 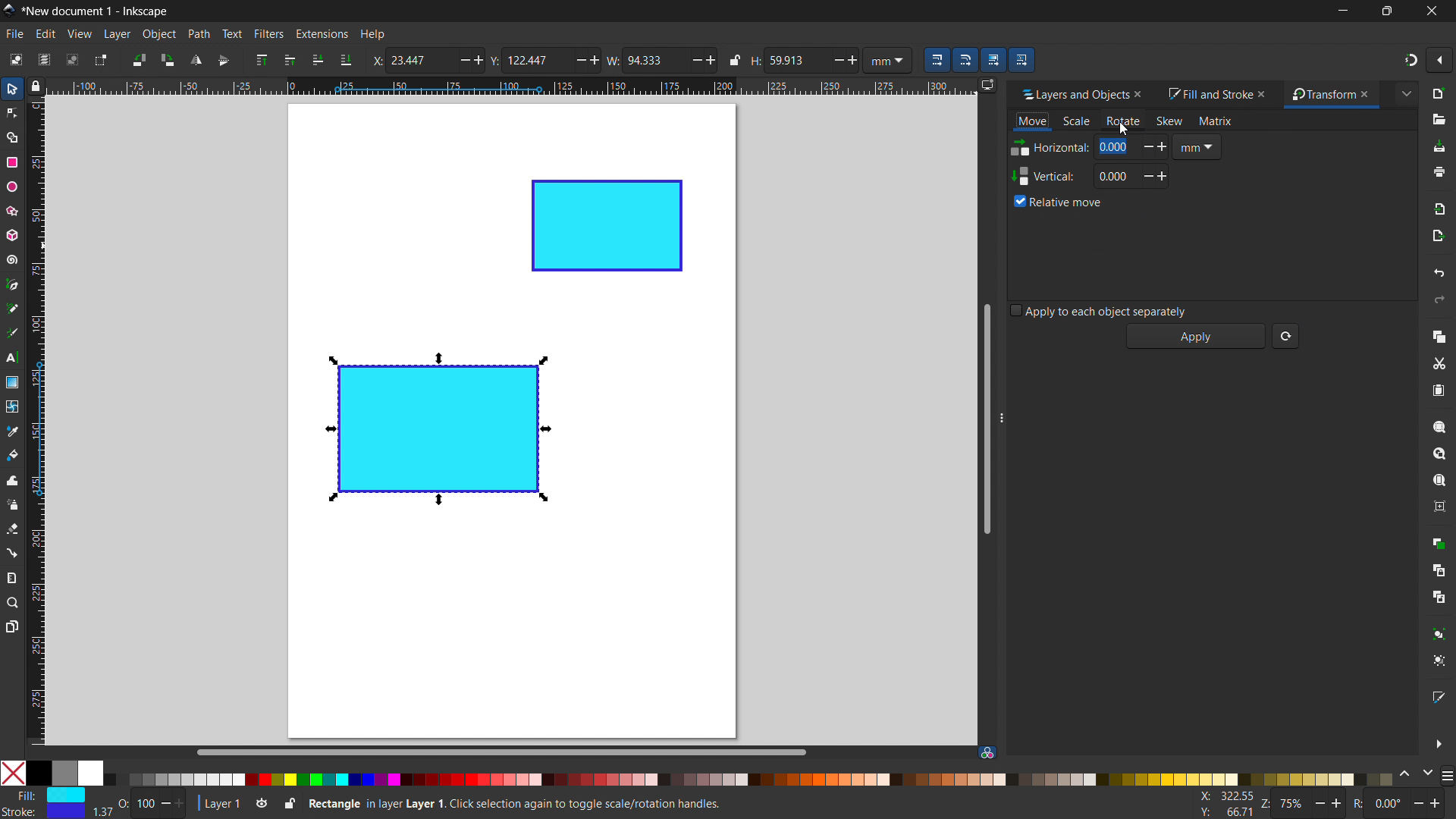 I want to click on apply, so click(x=1197, y=337).